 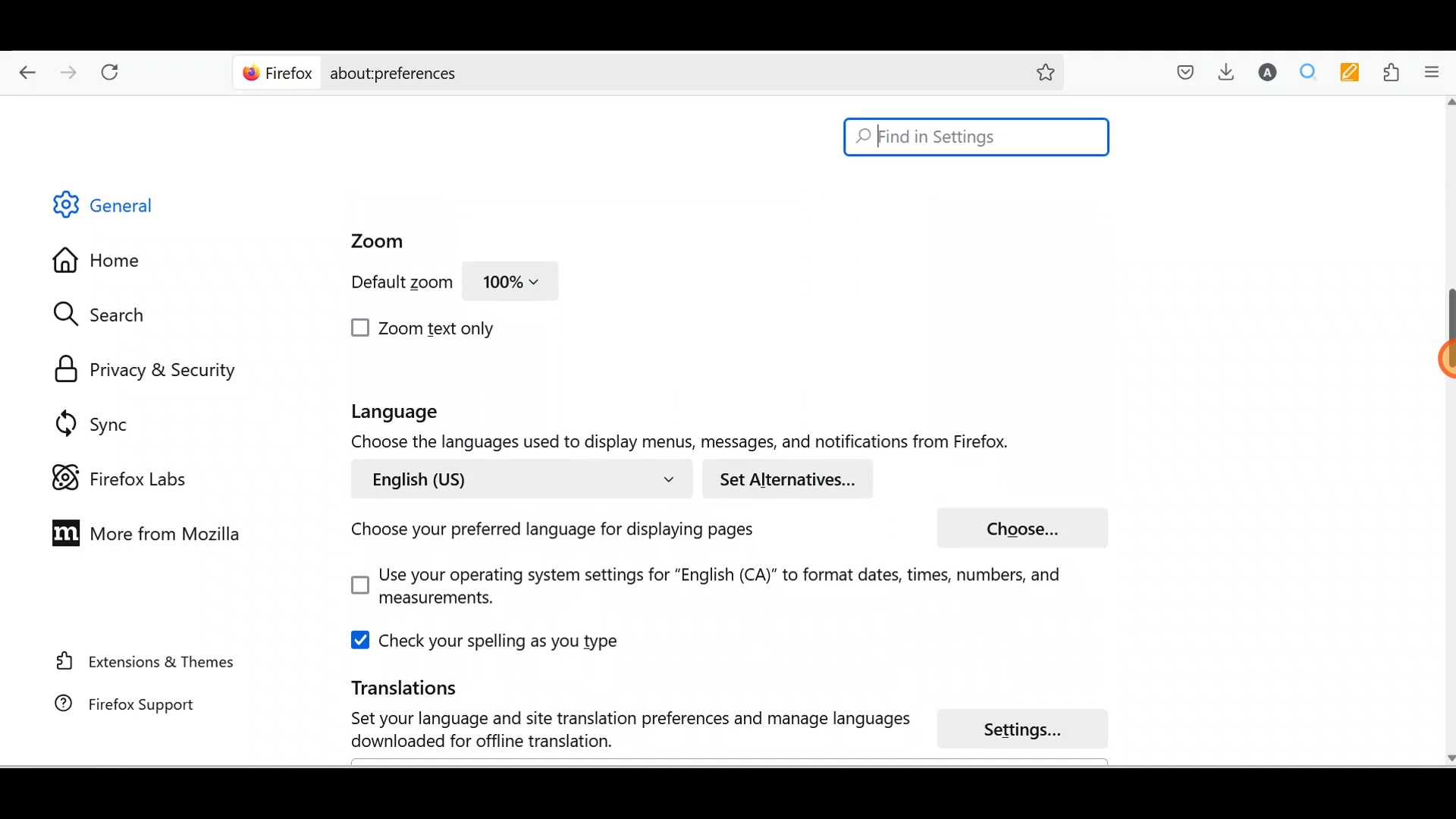 What do you see at coordinates (95, 423) in the screenshot?
I see `Sync` at bounding box center [95, 423].